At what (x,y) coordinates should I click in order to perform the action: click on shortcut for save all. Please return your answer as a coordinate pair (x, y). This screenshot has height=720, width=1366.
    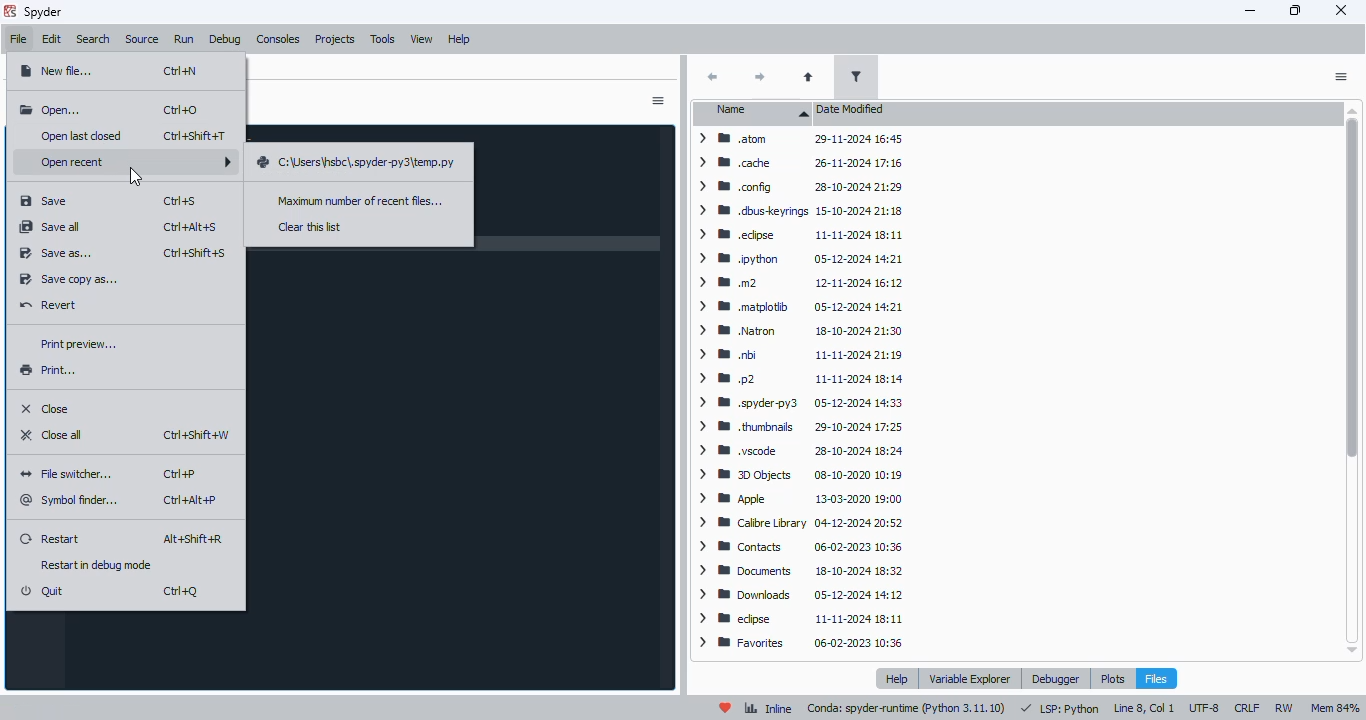
    Looking at the image, I should click on (192, 227).